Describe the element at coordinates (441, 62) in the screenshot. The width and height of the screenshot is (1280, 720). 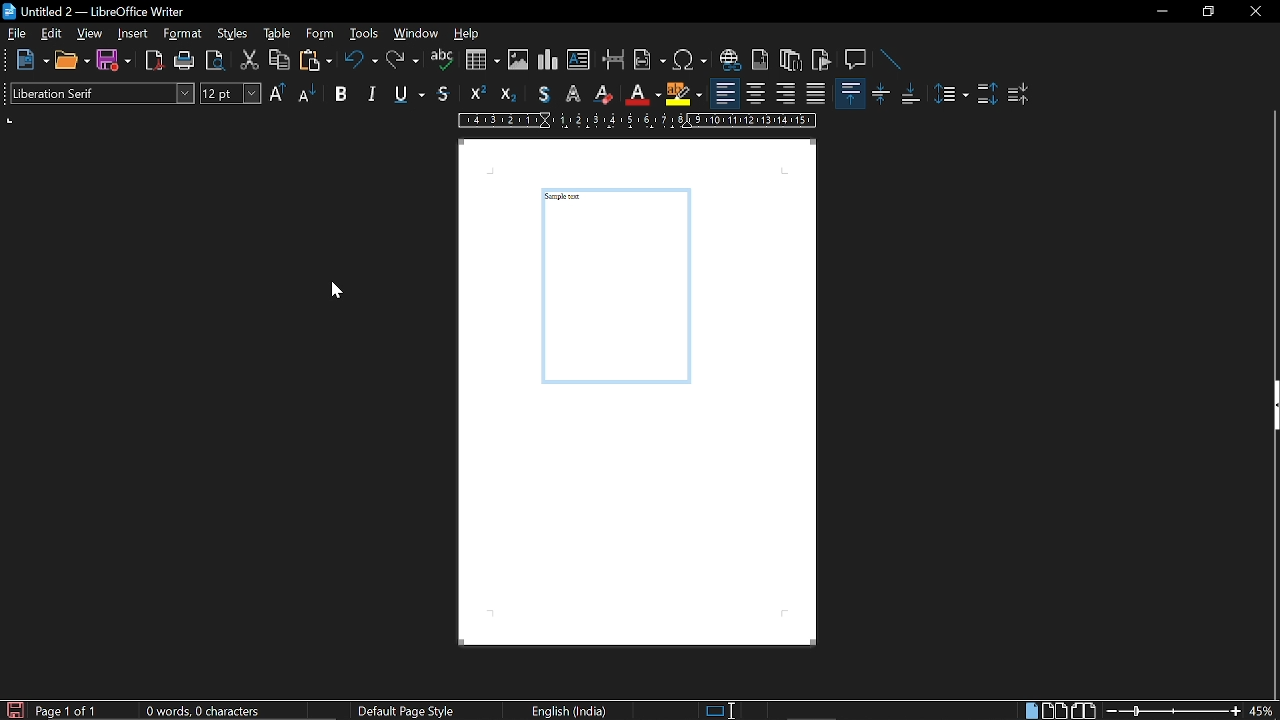
I see `spell check` at that location.